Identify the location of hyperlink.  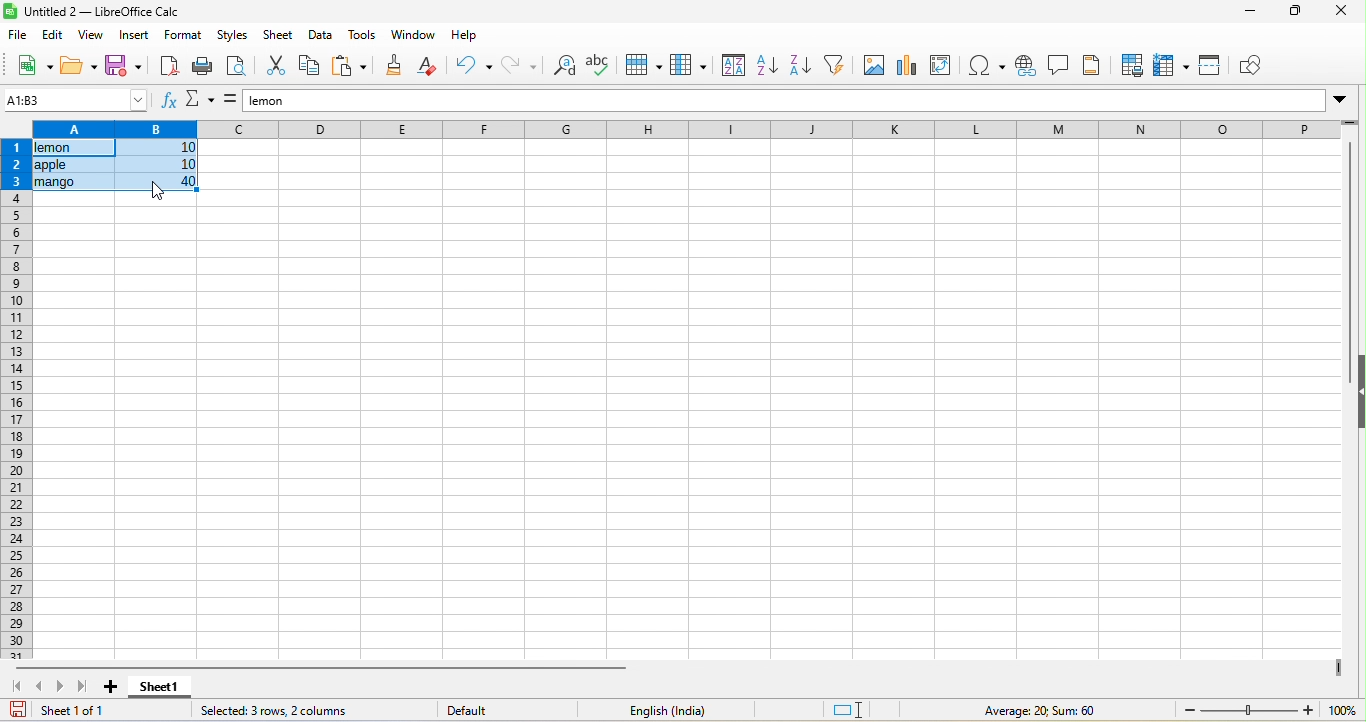
(1028, 65).